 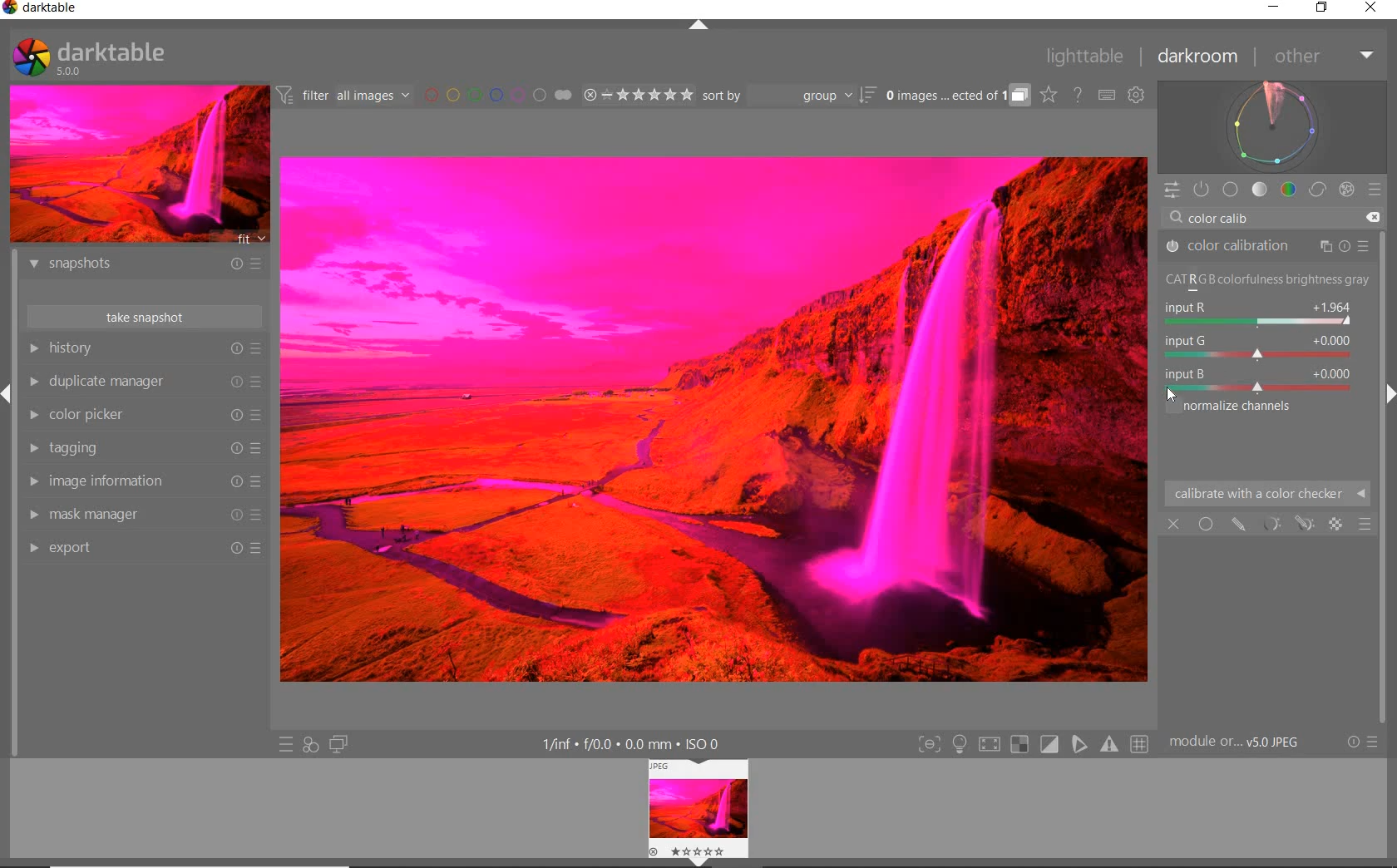 I want to click on image information, so click(x=143, y=481).